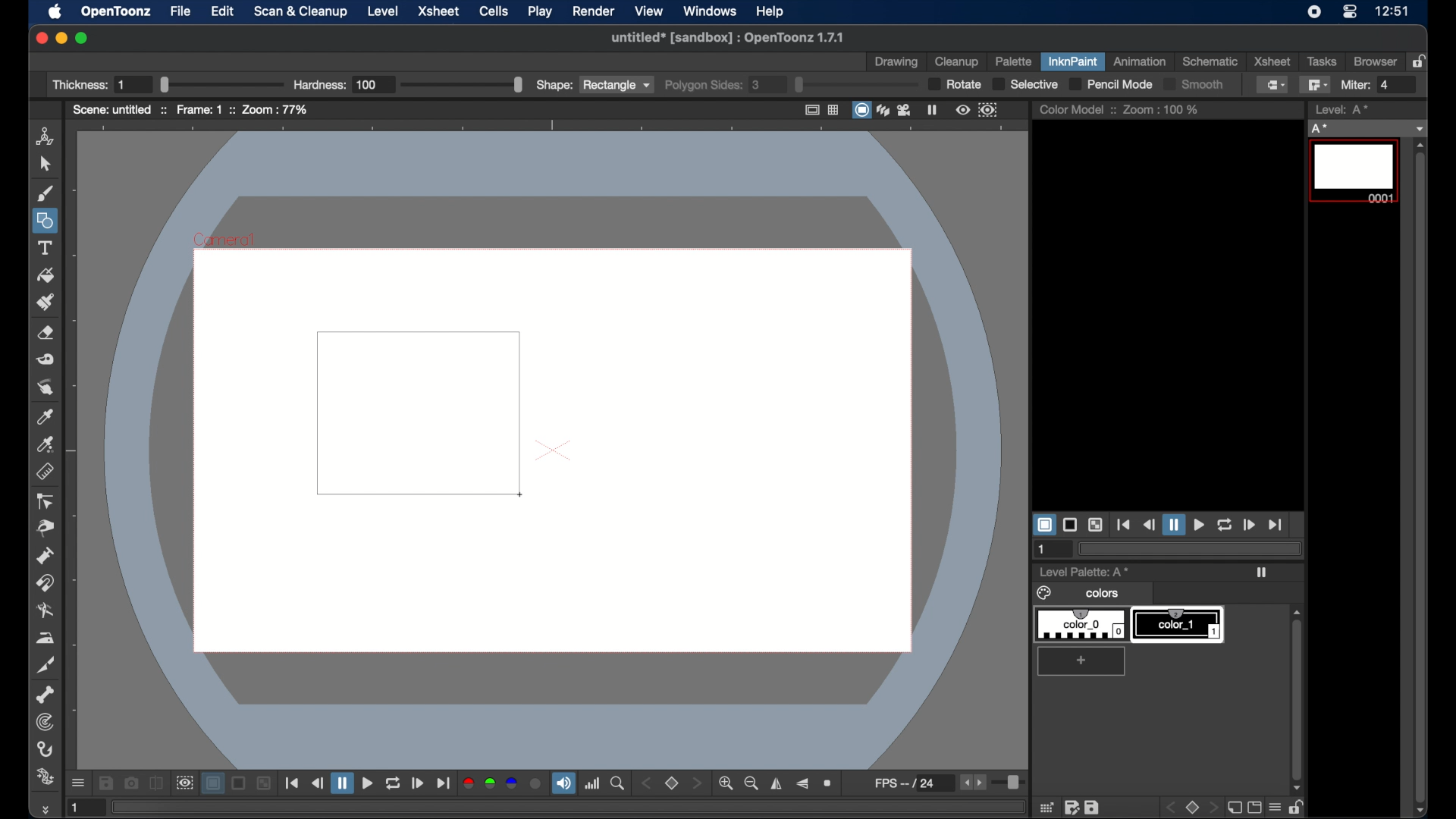  What do you see at coordinates (1344, 109) in the screenshot?
I see `level strip` at bounding box center [1344, 109].